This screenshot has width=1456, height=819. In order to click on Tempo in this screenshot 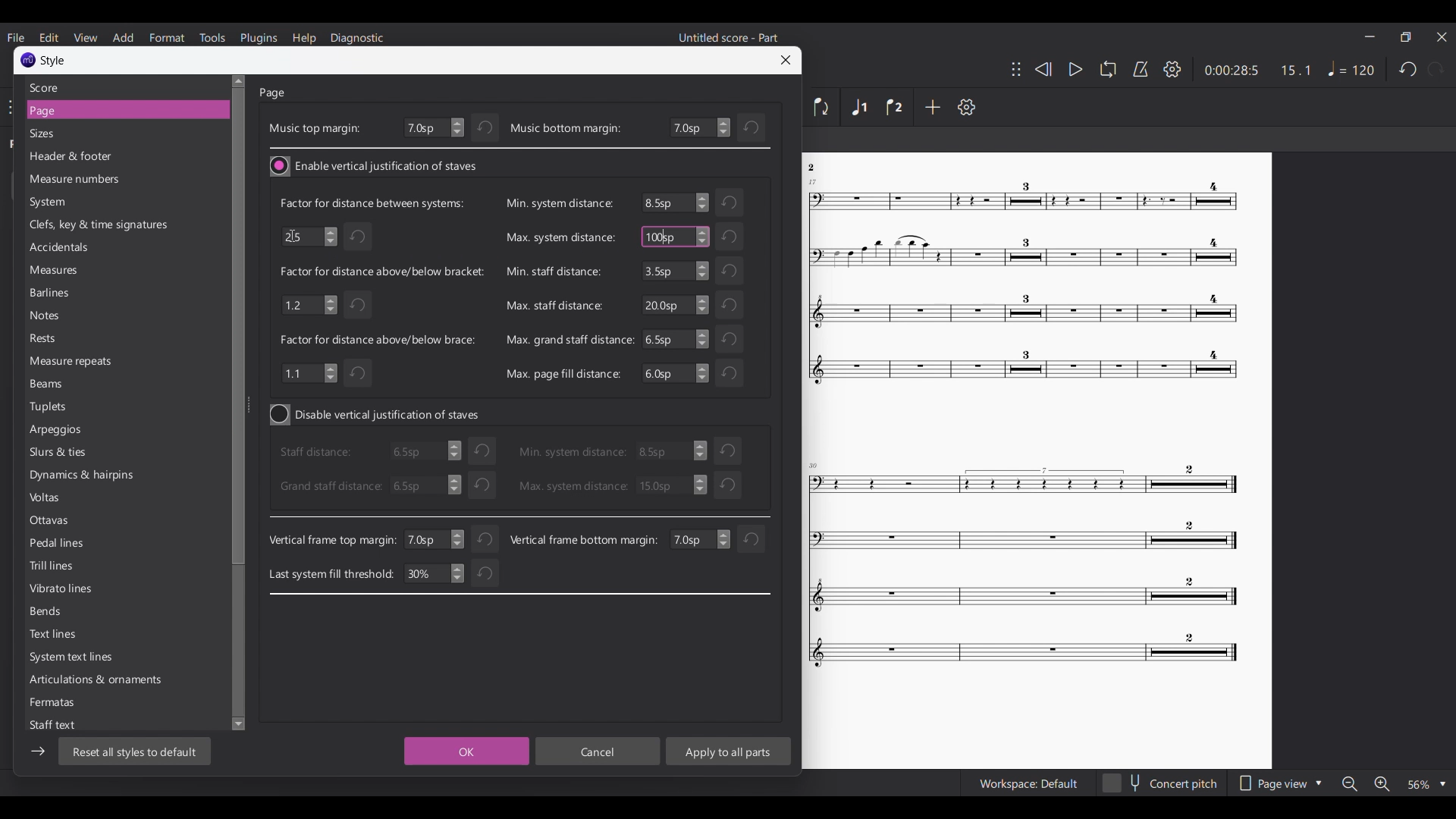, I will do `click(1351, 68)`.